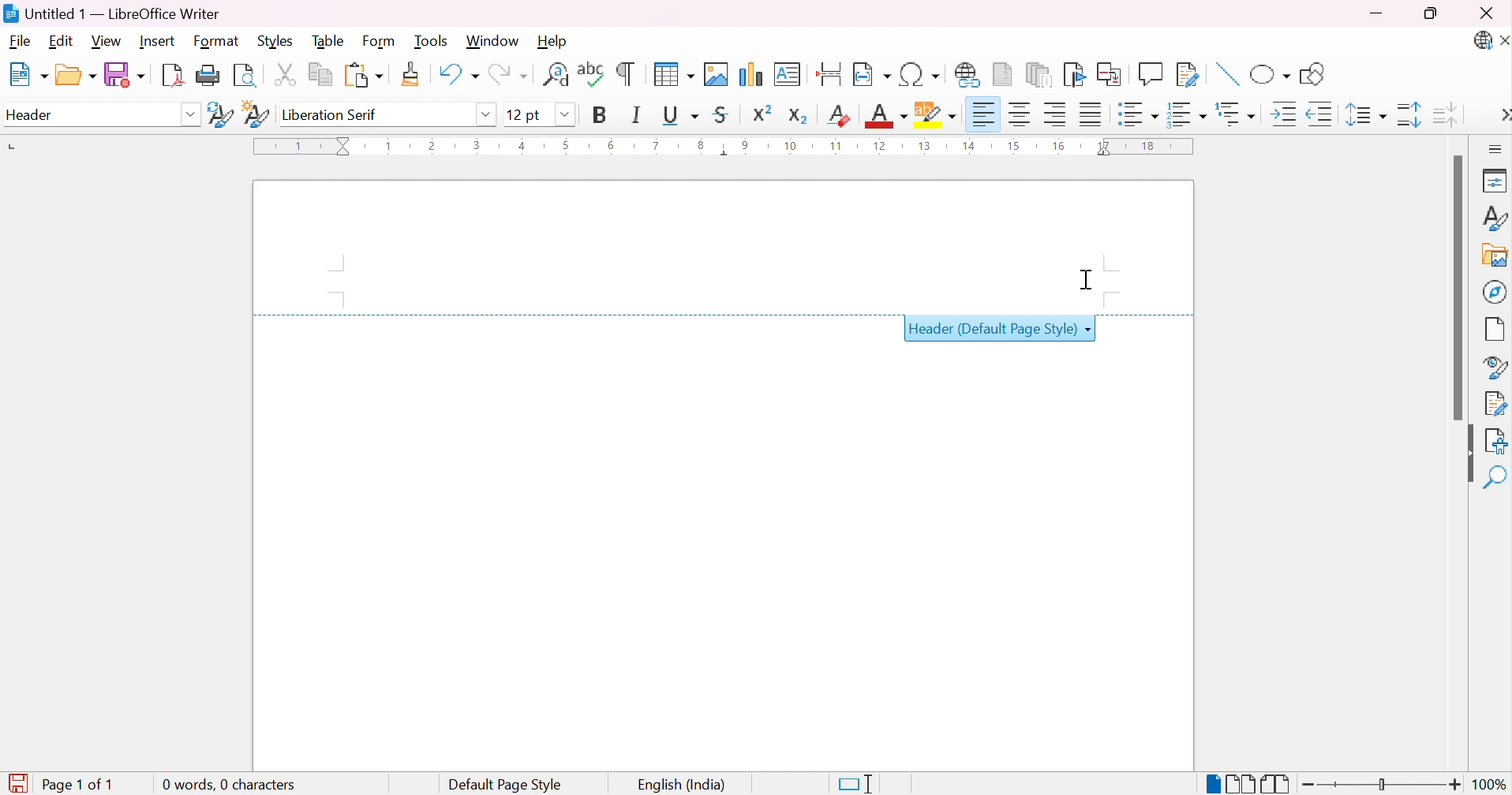  Describe the element at coordinates (720, 147) in the screenshot. I see `Ruler` at that location.